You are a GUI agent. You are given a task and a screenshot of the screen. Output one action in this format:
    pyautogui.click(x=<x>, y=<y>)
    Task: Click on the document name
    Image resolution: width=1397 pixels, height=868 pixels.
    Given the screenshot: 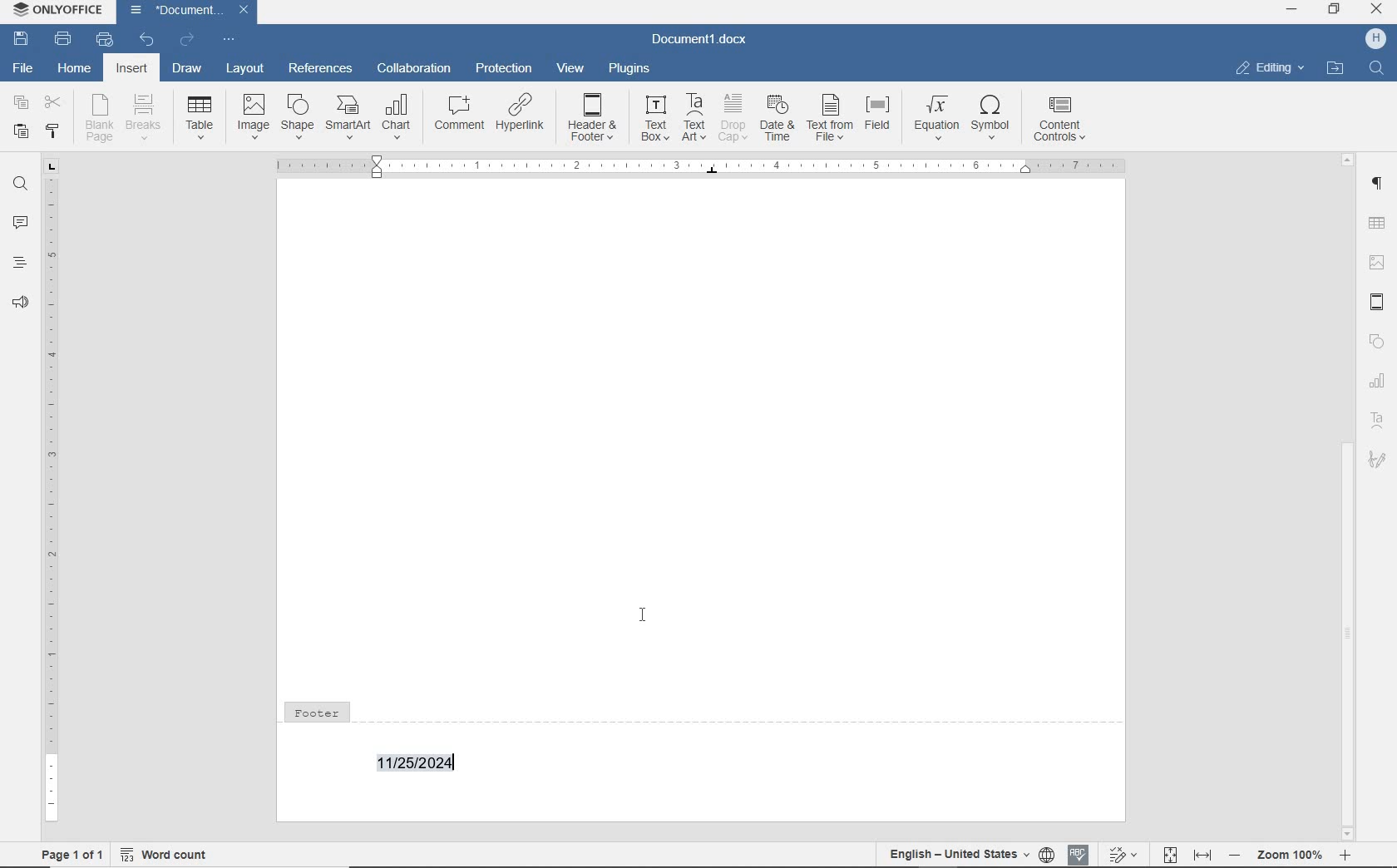 What is the action you would take?
    pyautogui.click(x=180, y=11)
    